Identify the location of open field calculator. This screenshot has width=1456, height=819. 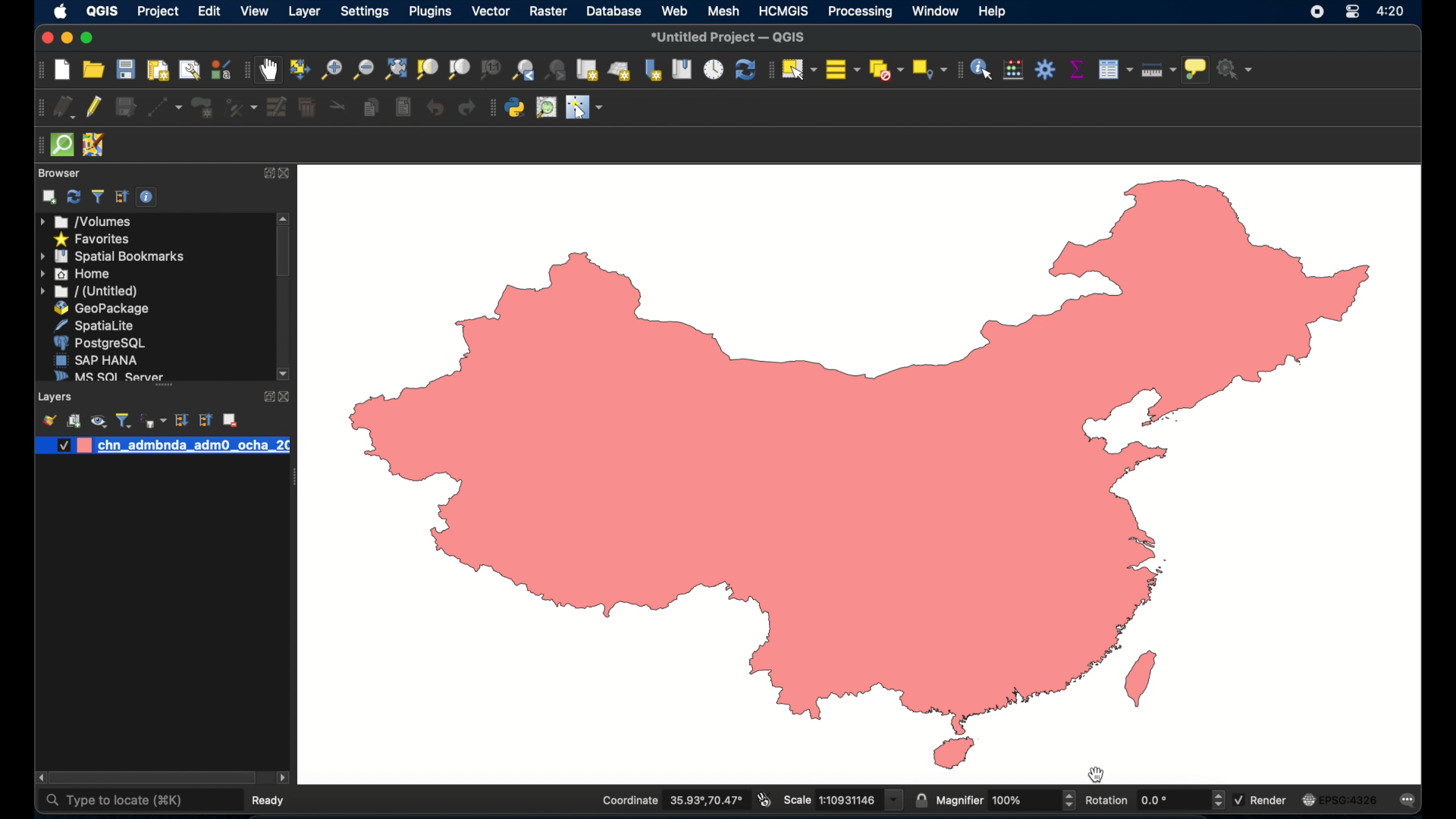
(1012, 70).